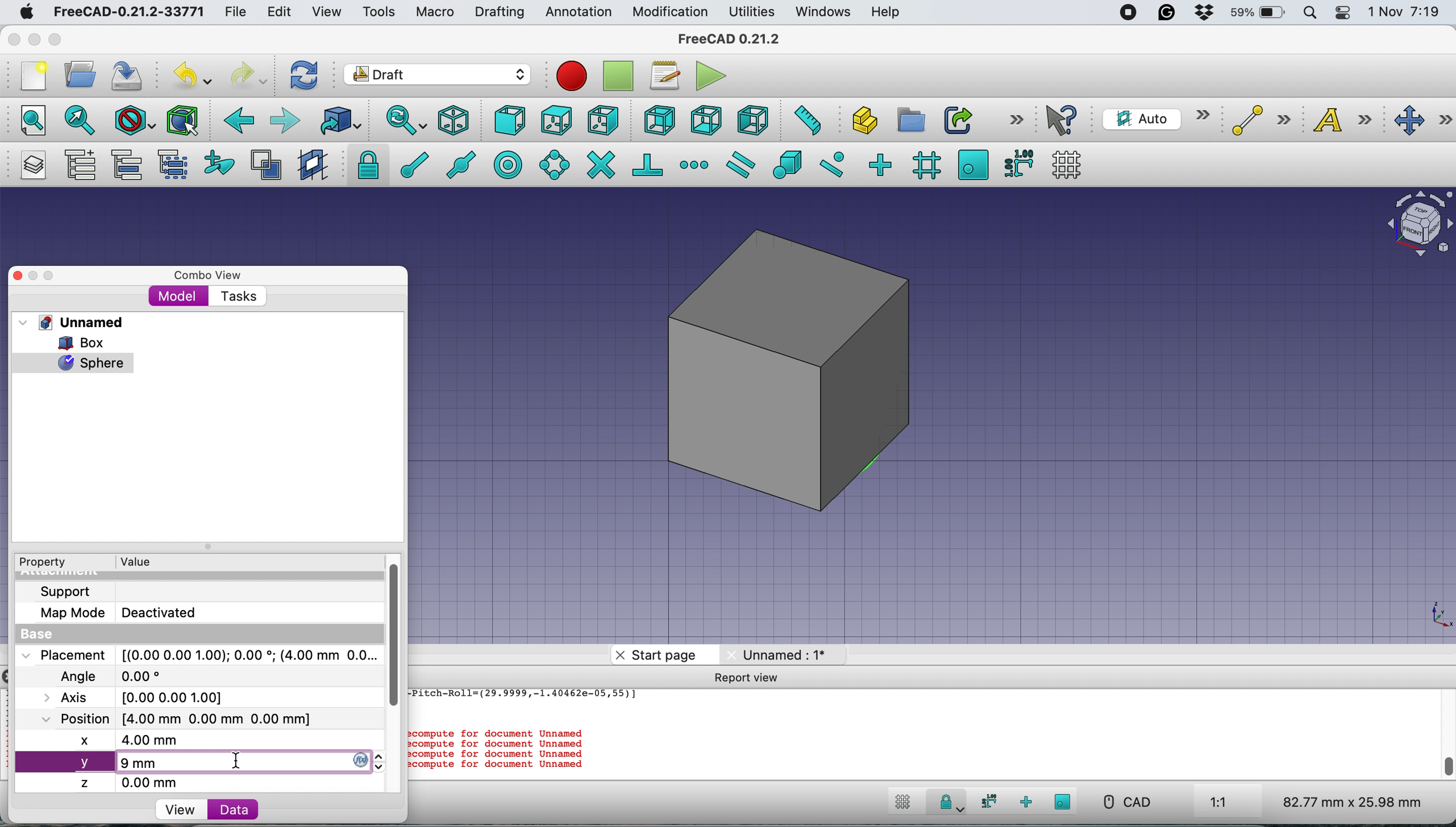 The height and width of the screenshot is (827, 1456). I want to click on fit all, so click(27, 119).